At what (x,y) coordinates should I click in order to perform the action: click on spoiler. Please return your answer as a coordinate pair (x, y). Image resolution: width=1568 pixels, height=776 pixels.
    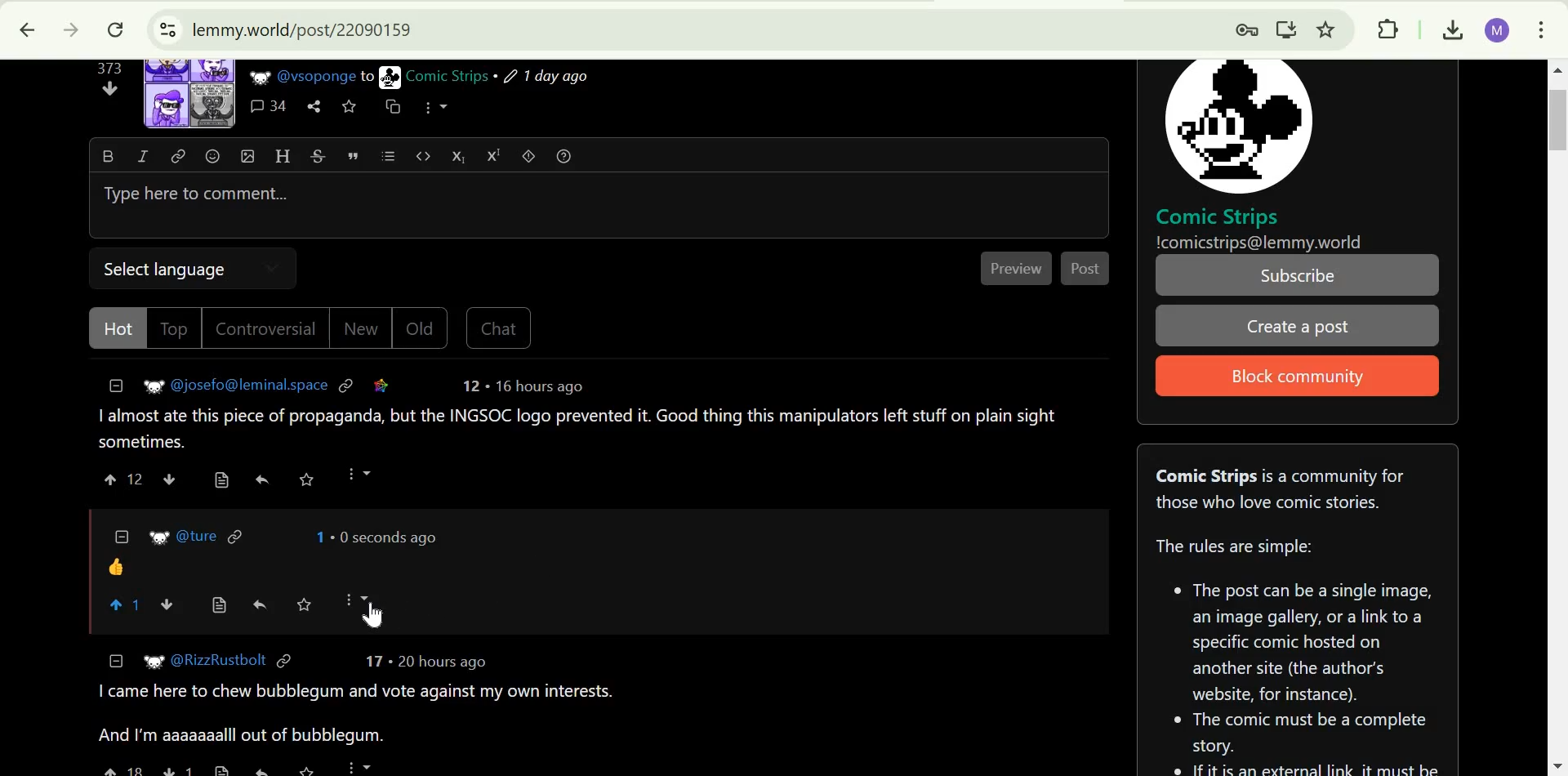
    Looking at the image, I should click on (529, 155).